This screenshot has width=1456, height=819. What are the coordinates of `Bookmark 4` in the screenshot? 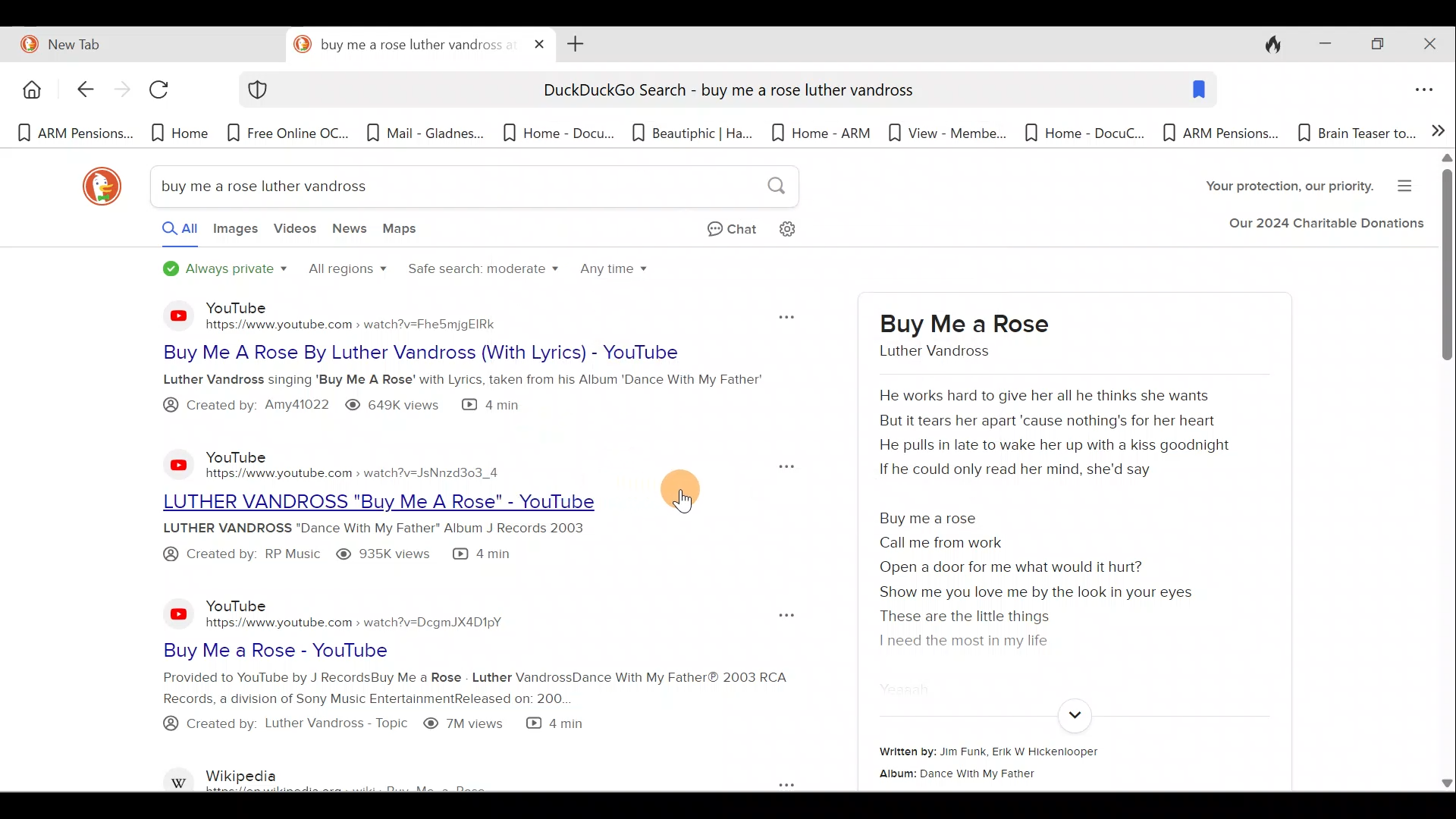 It's located at (425, 137).